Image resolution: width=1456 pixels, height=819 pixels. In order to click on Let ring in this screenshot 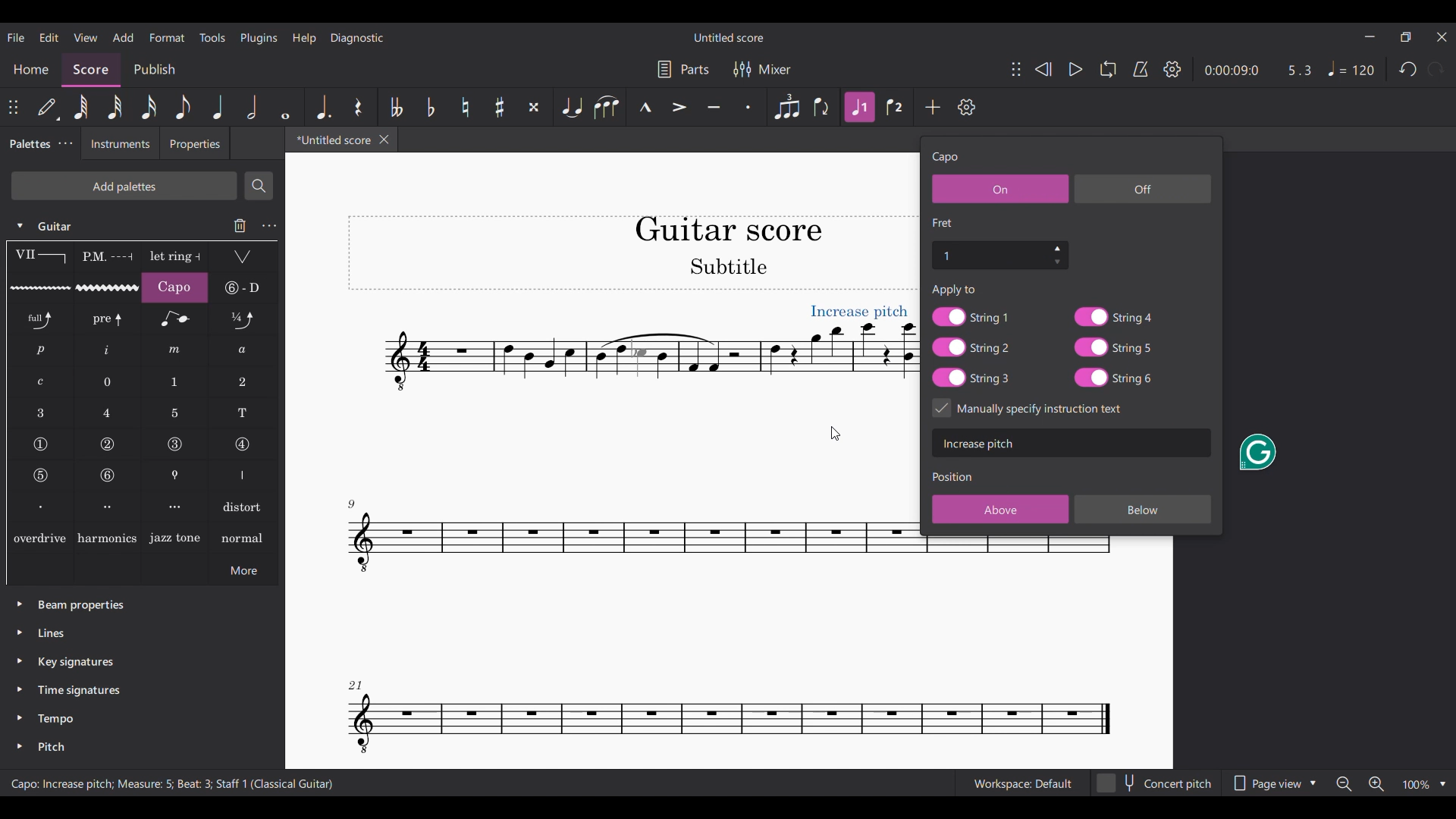, I will do `click(175, 257)`.